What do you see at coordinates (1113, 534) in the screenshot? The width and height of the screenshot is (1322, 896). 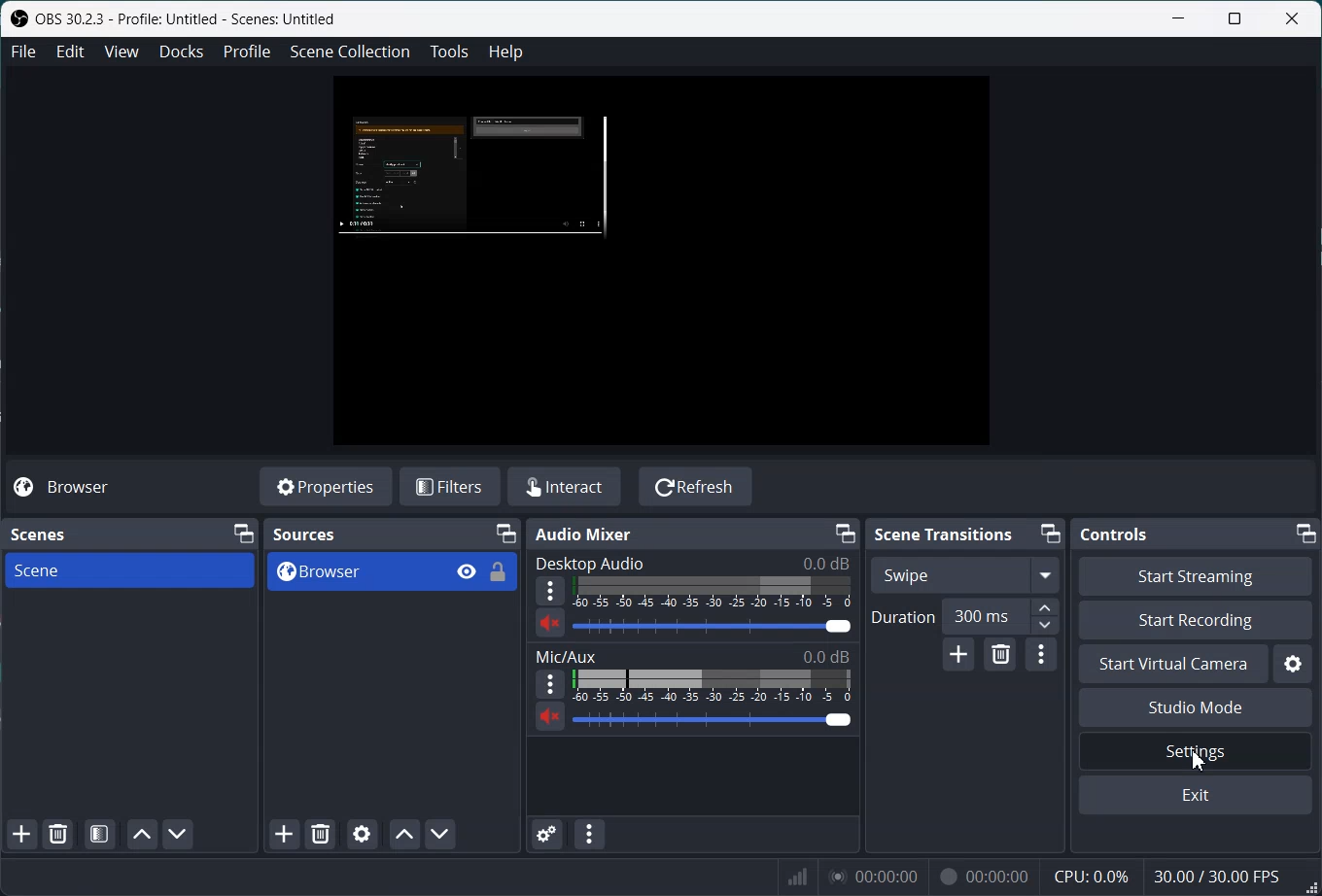 I see `Controls` at bounding box center [1113, 534].